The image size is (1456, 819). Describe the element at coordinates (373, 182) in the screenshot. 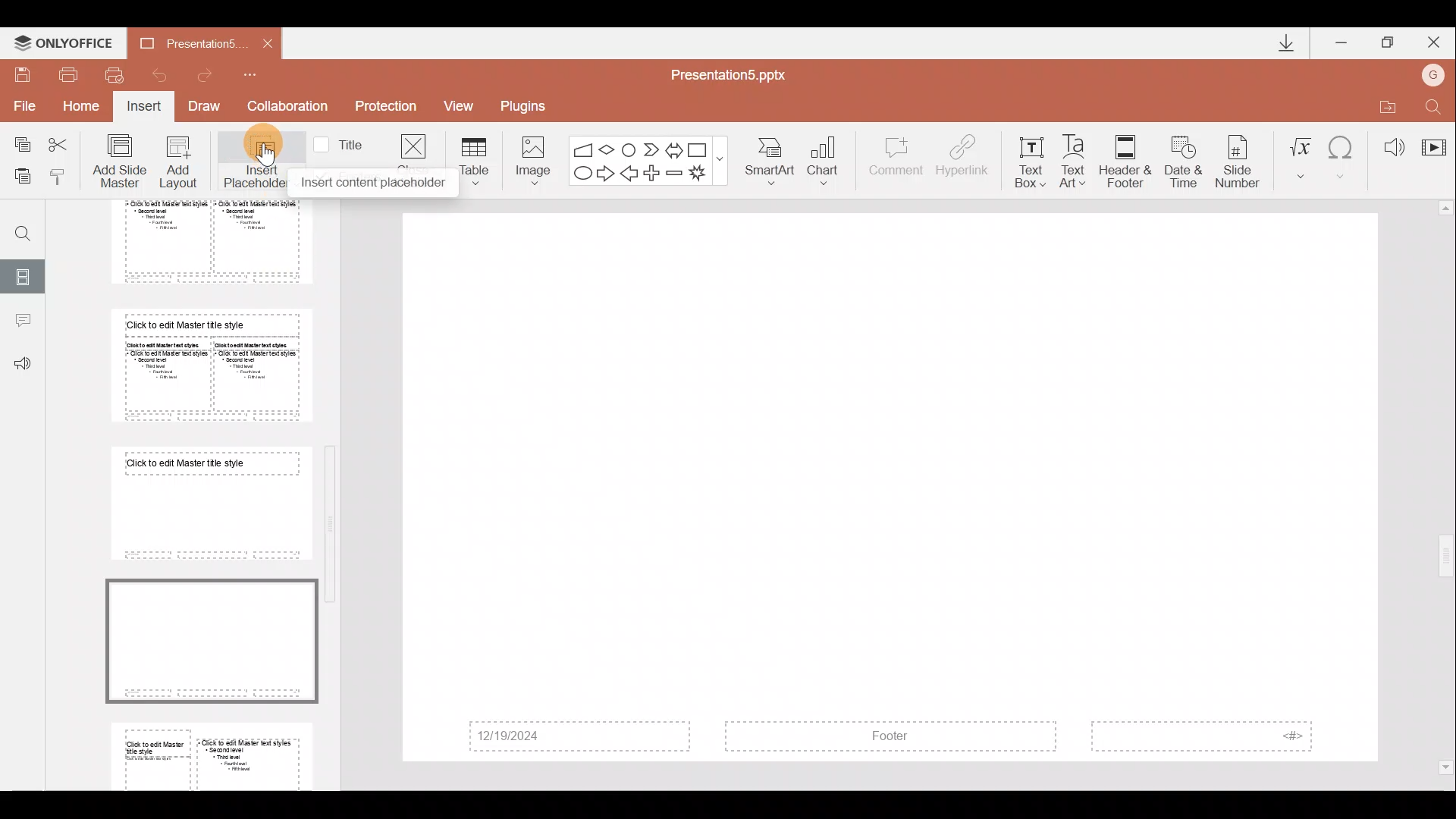

I see `Insert content placeholder` at that location.